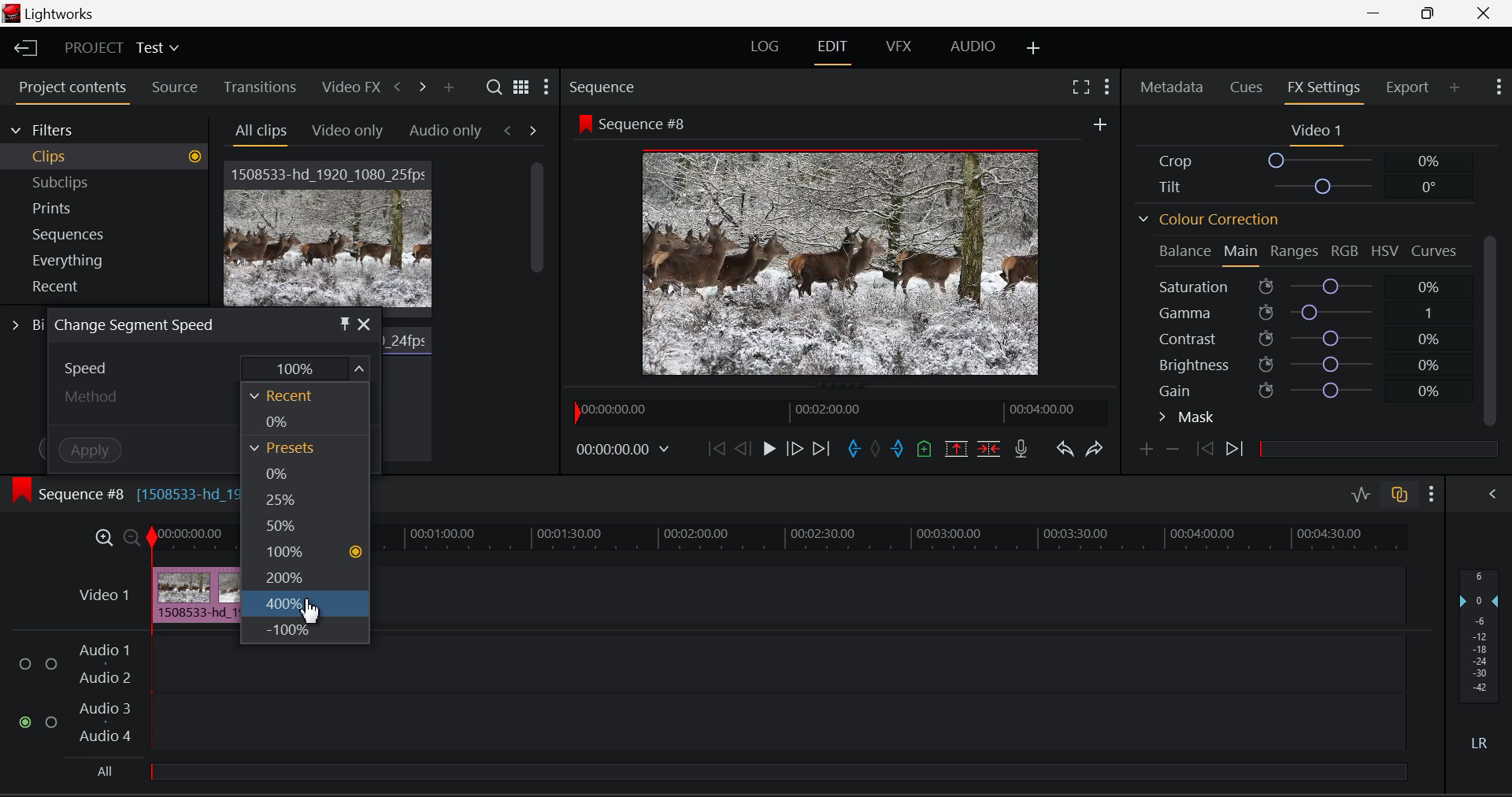  Describe the element at coordinates (174, 87) in the screenshot. I see `Source Tab` at that location.